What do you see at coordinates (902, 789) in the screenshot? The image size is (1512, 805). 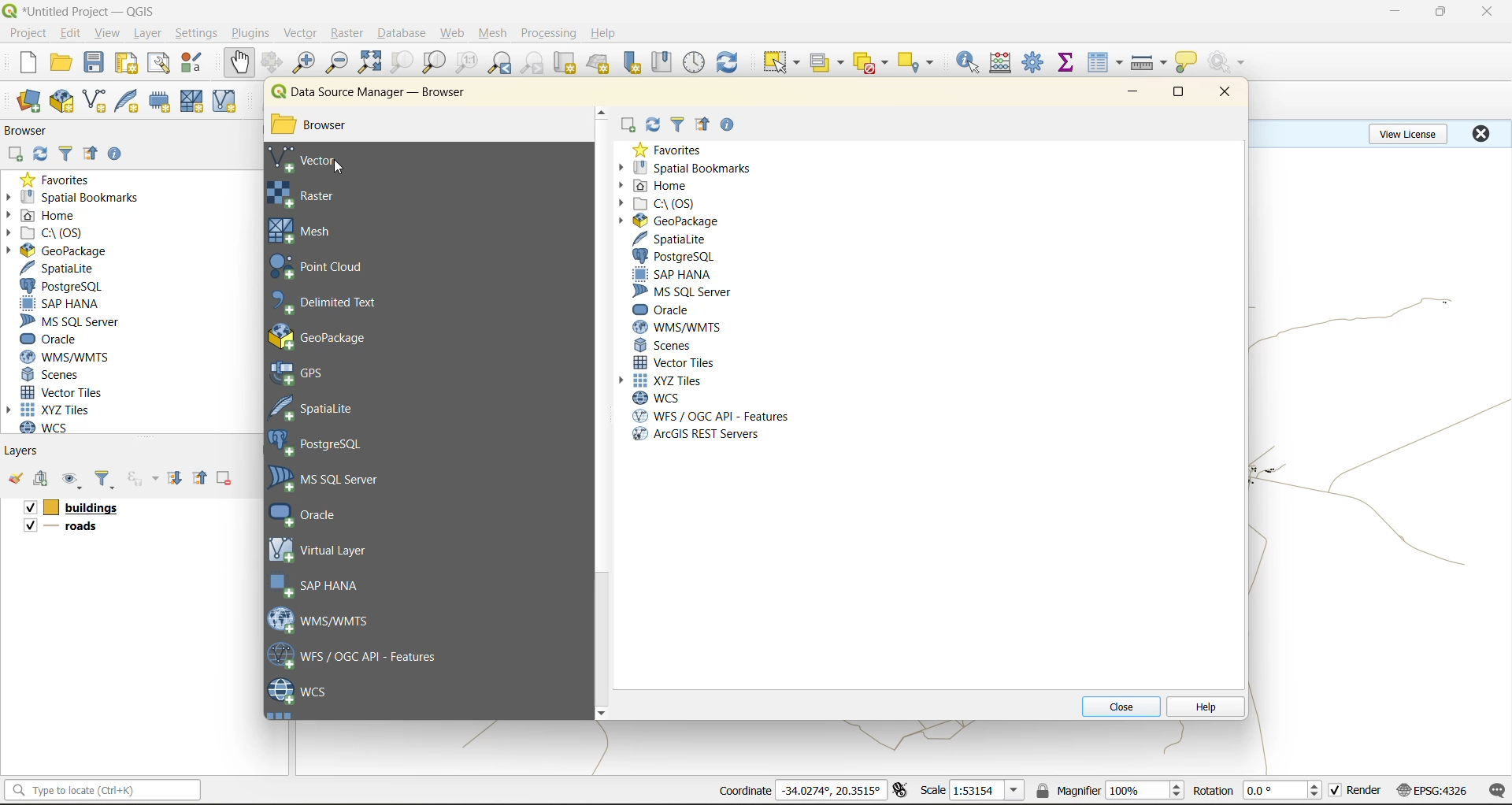 I see `toggle extents` at bounding box center [902, 789].